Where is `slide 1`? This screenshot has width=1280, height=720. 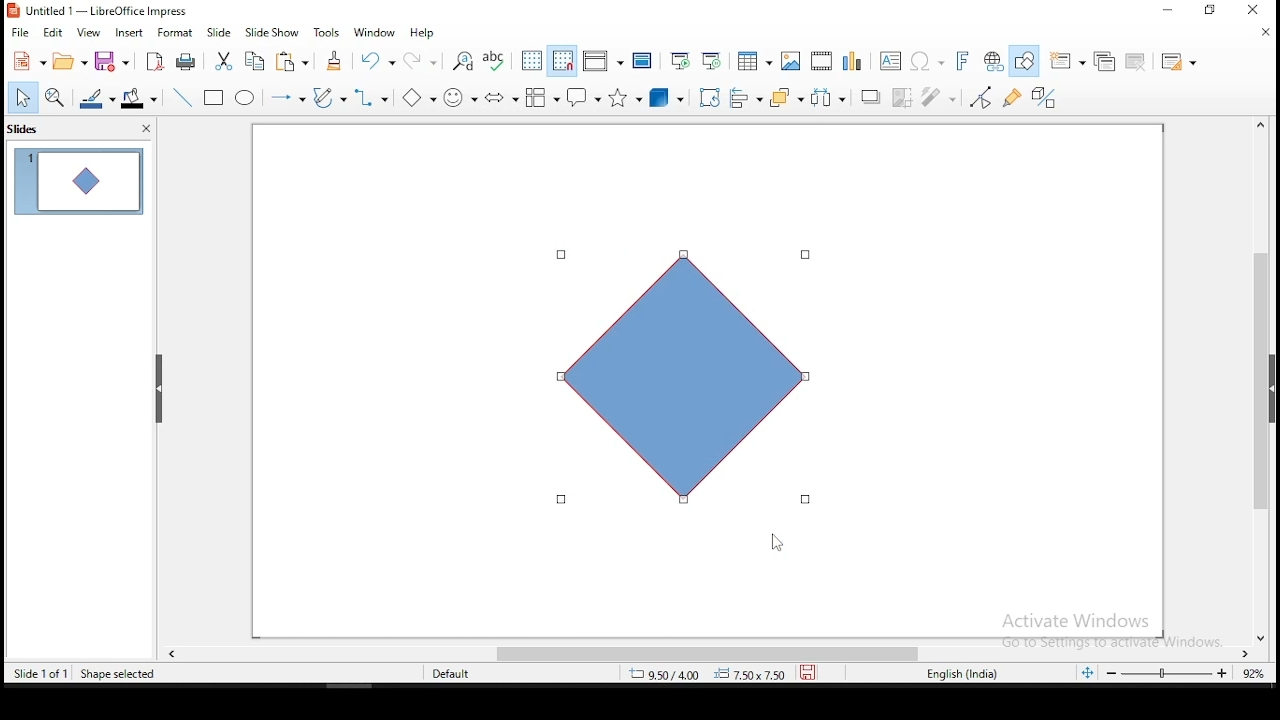 slide 1 is located at coordinates (76, 180).